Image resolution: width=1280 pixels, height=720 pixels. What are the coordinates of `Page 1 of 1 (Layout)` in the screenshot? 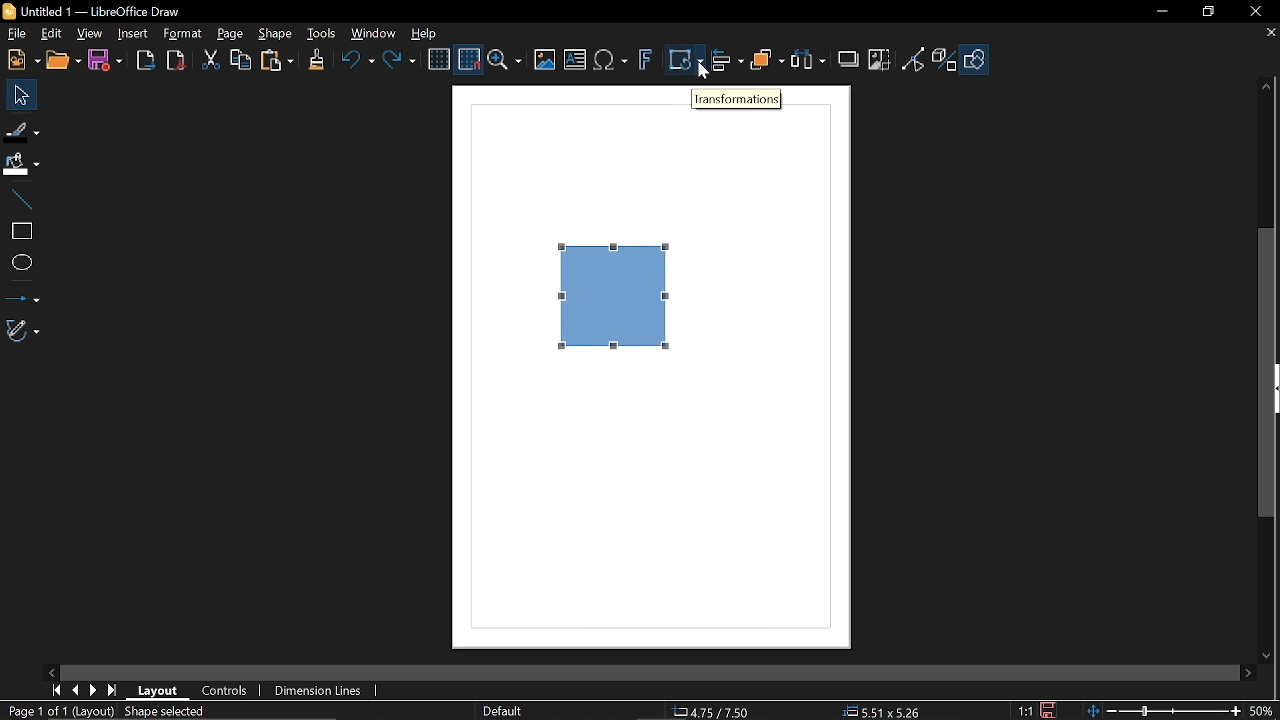 It's located at (59, 711).